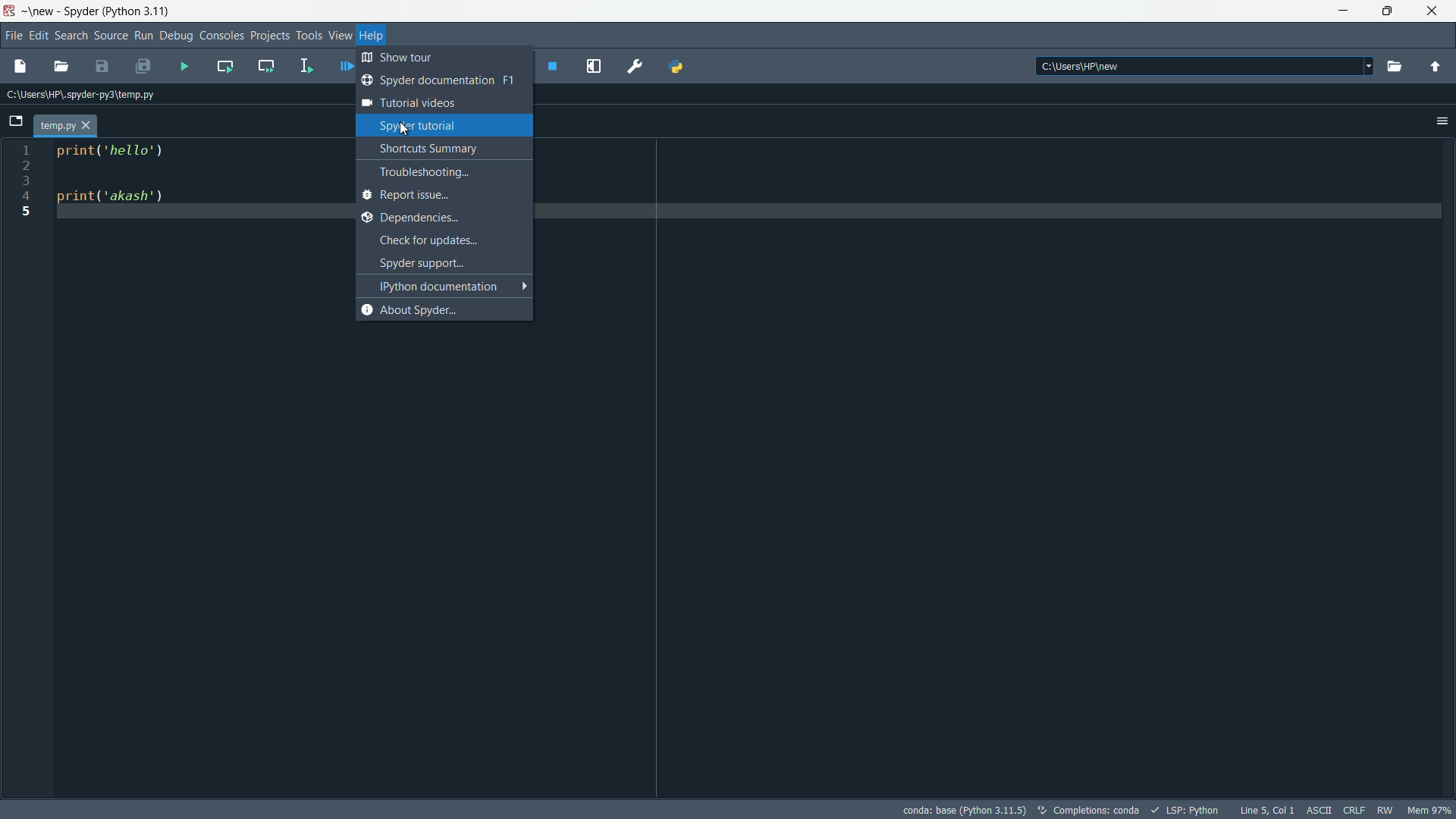 Image resolution: width=1456 pixels, height=819 pixels. Describe the element at coordinates (23, 181) in the screenshot. I see `line number` at that location.